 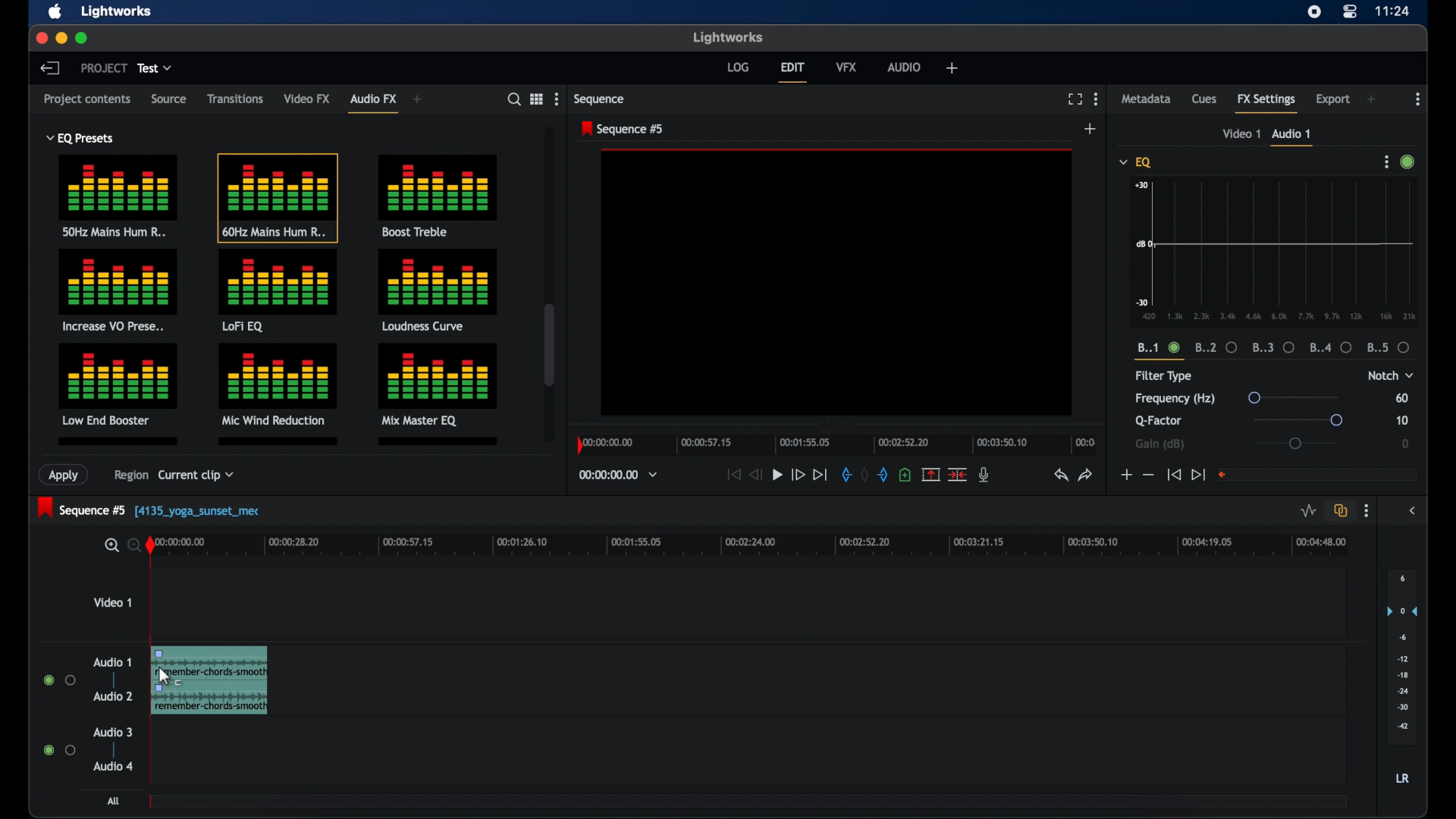 I want to click on more options, so click(x=1367, y=511).